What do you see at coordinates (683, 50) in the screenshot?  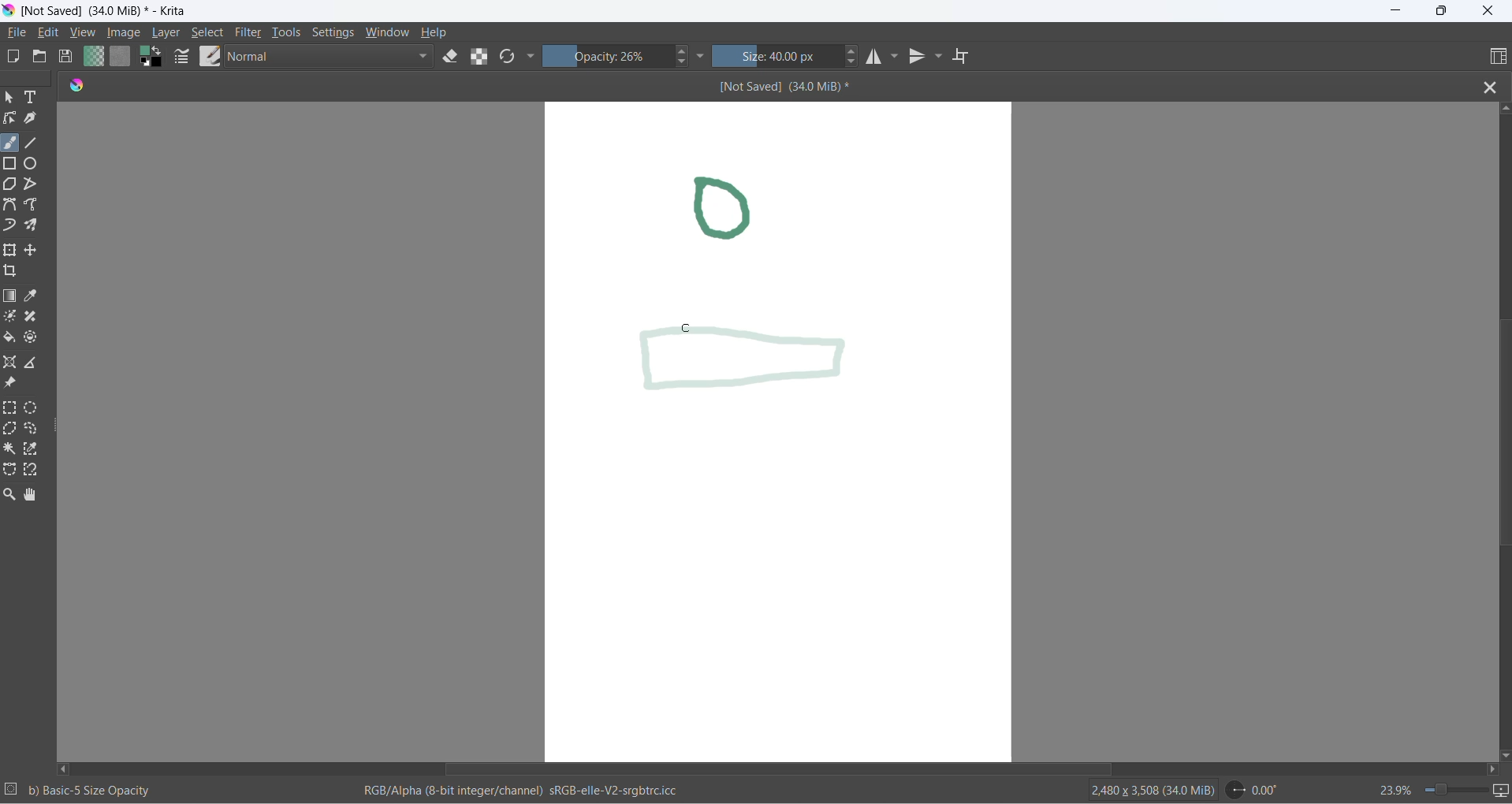 I see `increase opacity button` at bounding box center [683, 50].